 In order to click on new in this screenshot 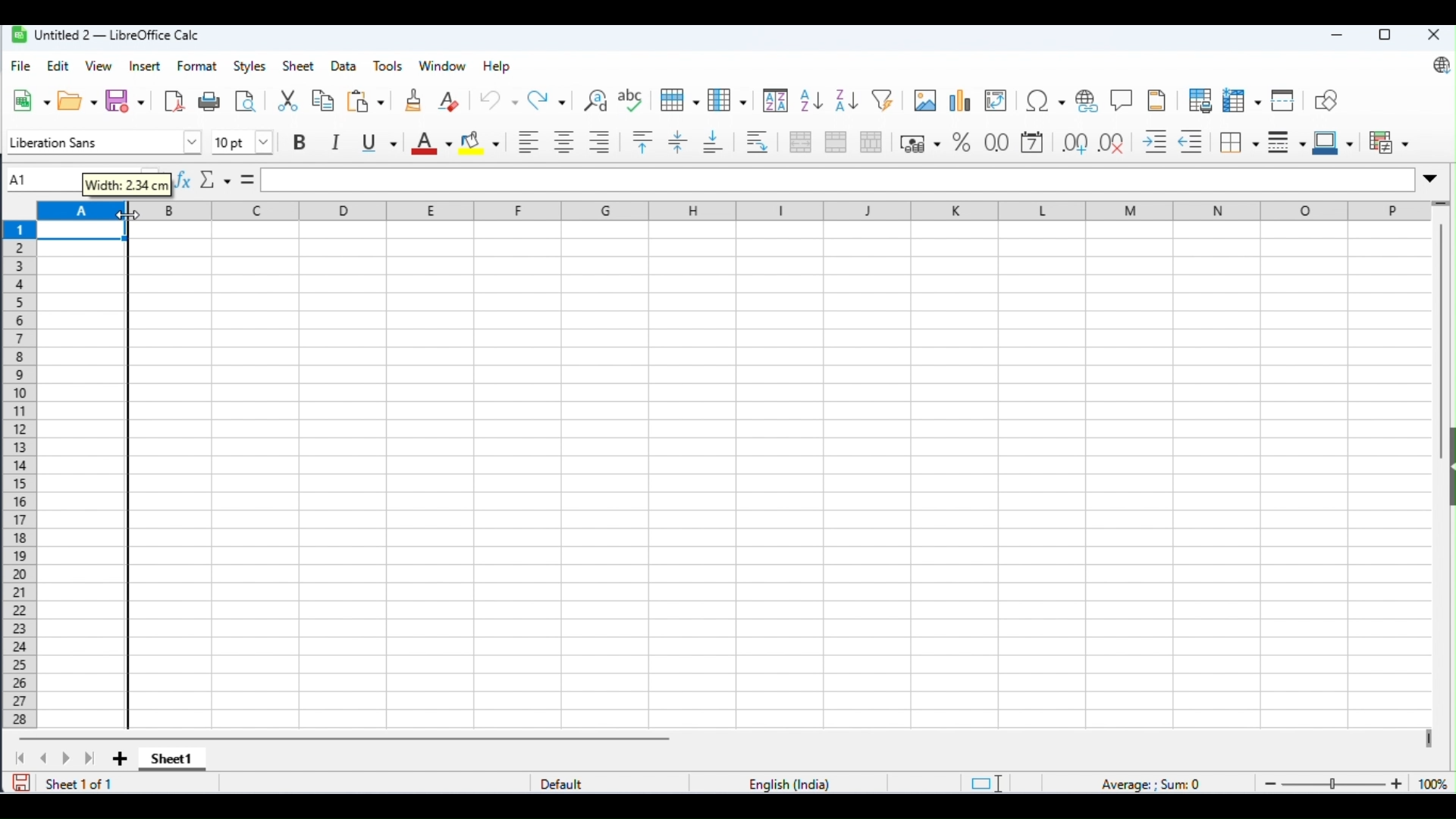, I will do `click(32, 100)`.